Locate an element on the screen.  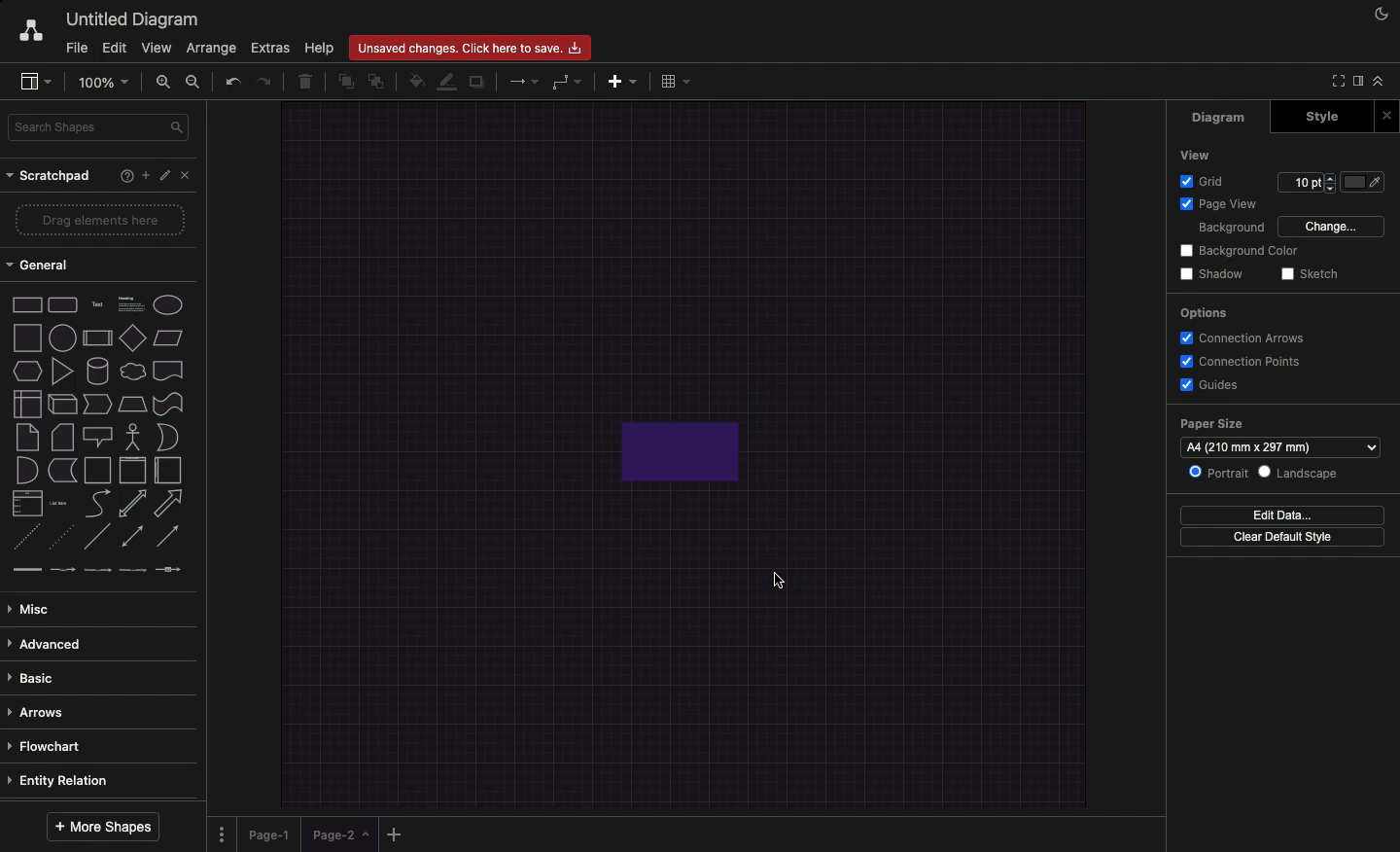
trapezoid is located at coordinates (131, 403).